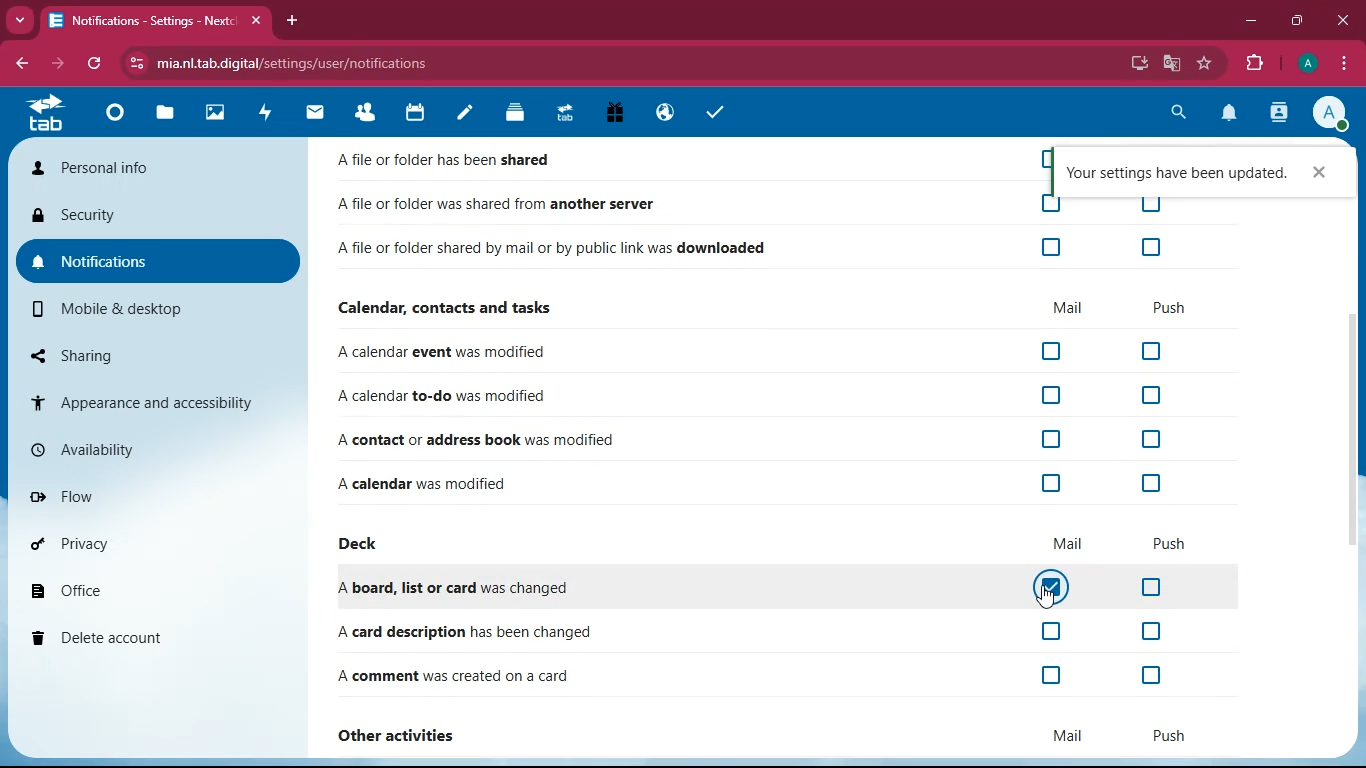  I want to click on off, so click(1149, 627).